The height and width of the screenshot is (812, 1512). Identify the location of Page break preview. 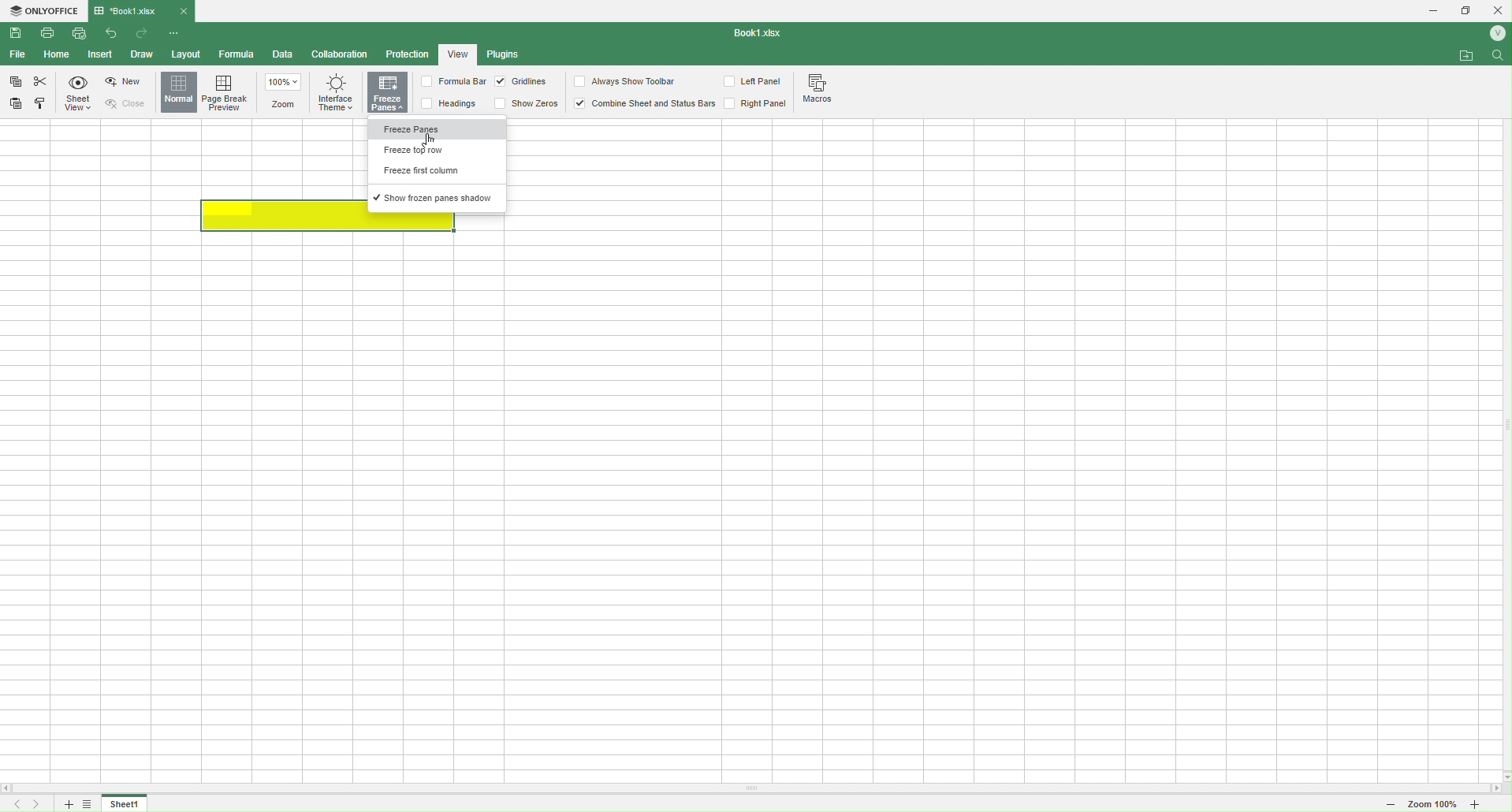
(229, 92).